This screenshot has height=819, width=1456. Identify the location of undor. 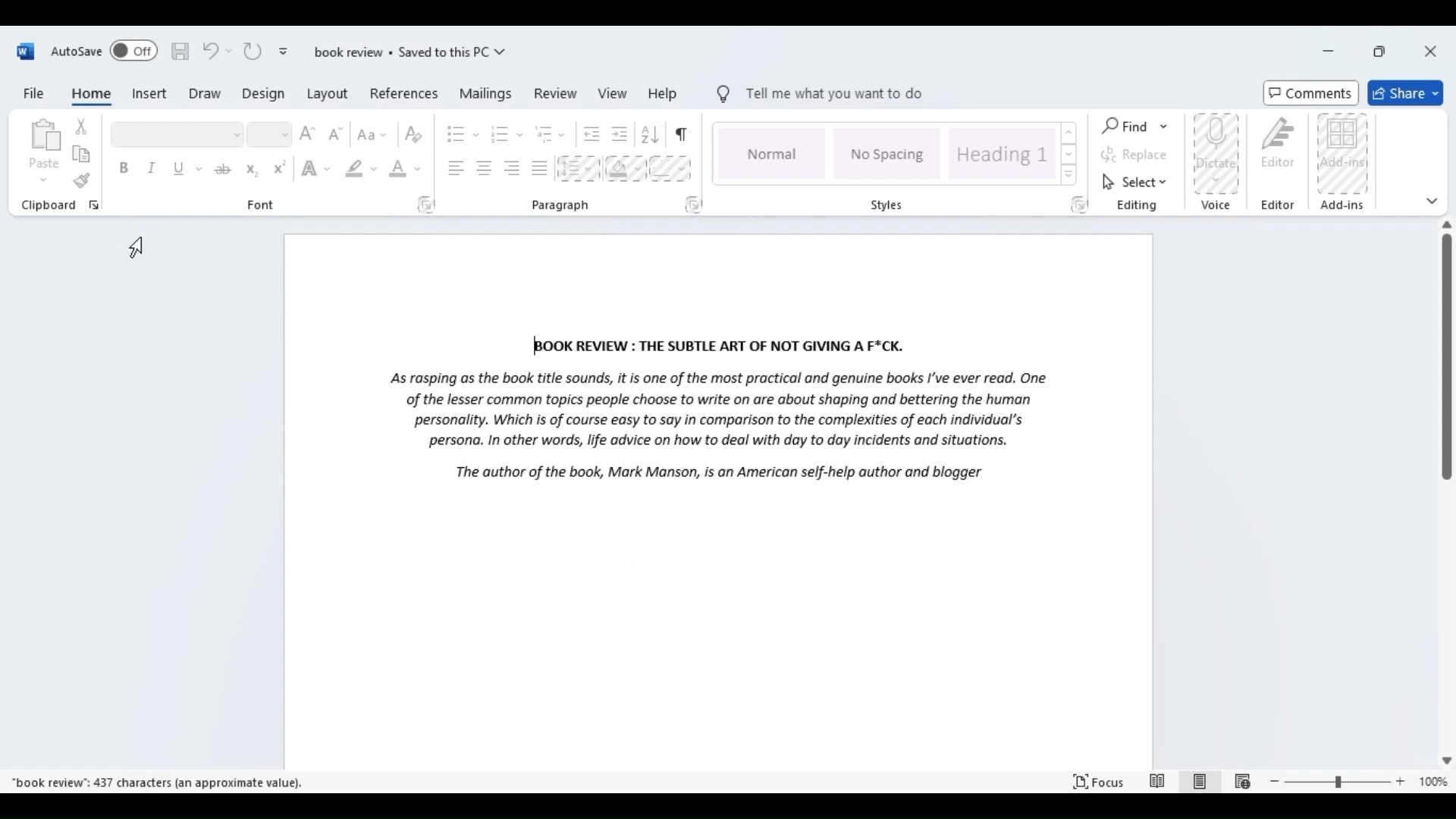
(212, 52).